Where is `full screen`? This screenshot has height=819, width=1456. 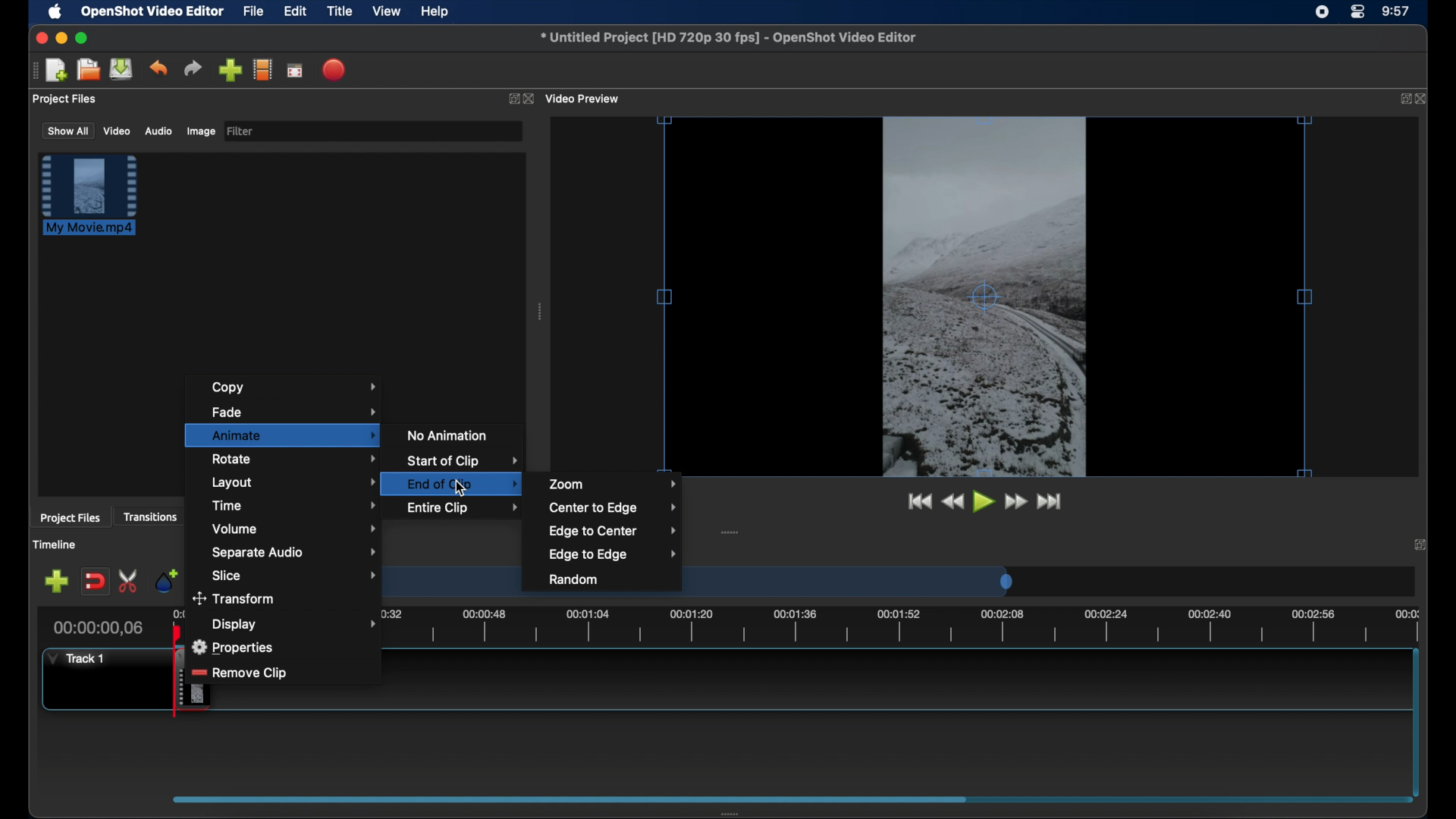
full screen is located at coordinates (296, 70).